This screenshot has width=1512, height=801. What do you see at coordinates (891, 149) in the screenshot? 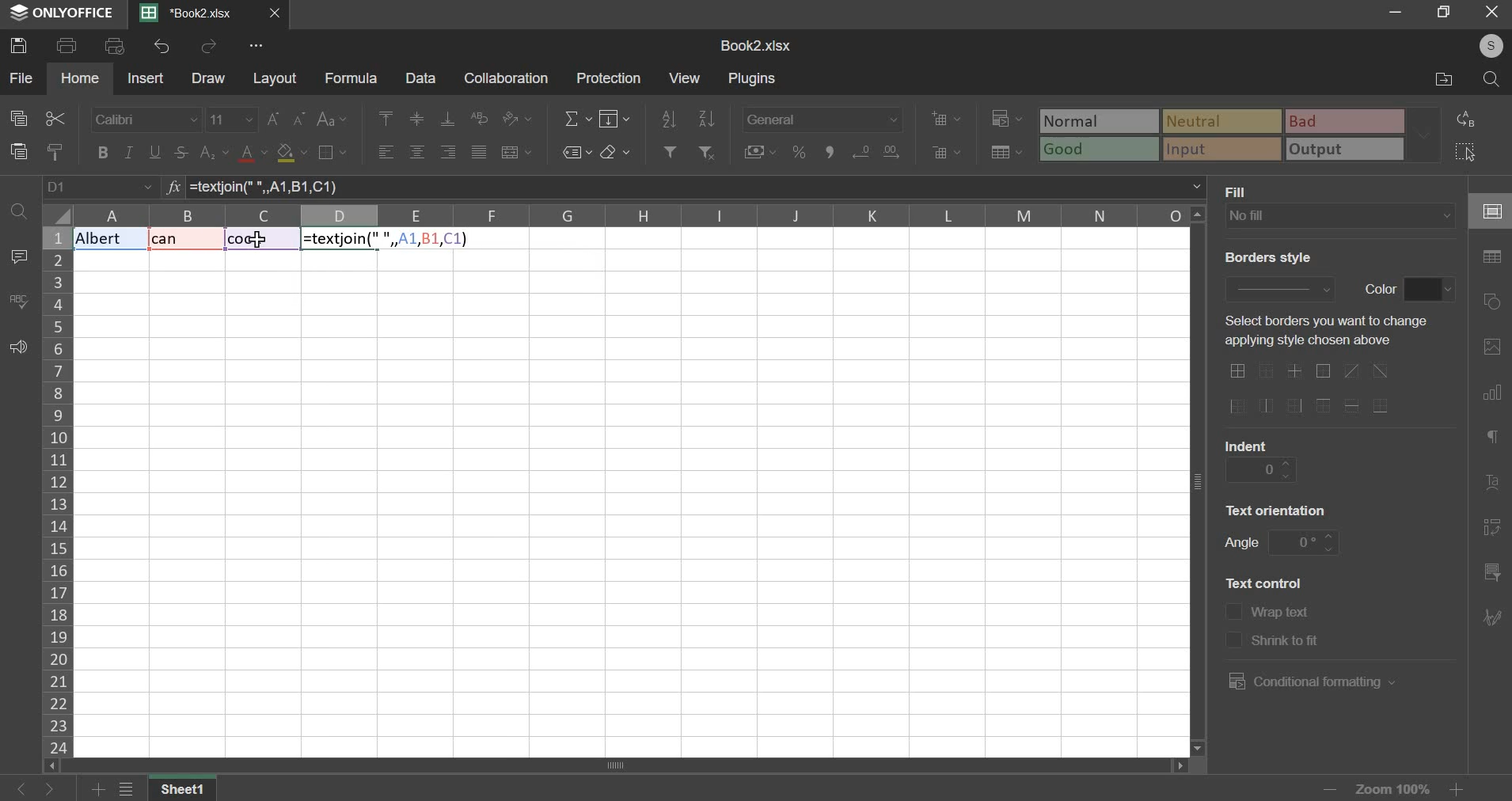
I see `decrease decimals` at bounding box center [891, 149].